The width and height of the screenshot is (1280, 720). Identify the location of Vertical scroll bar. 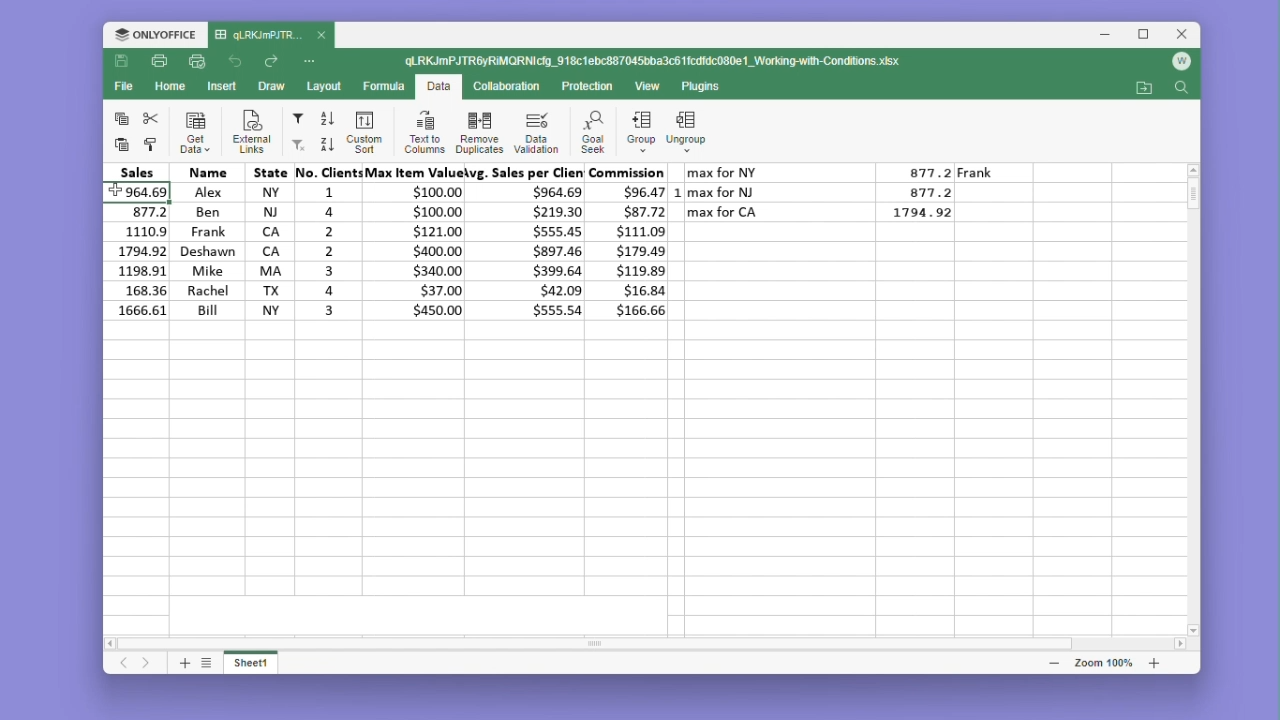
(1195, 205).